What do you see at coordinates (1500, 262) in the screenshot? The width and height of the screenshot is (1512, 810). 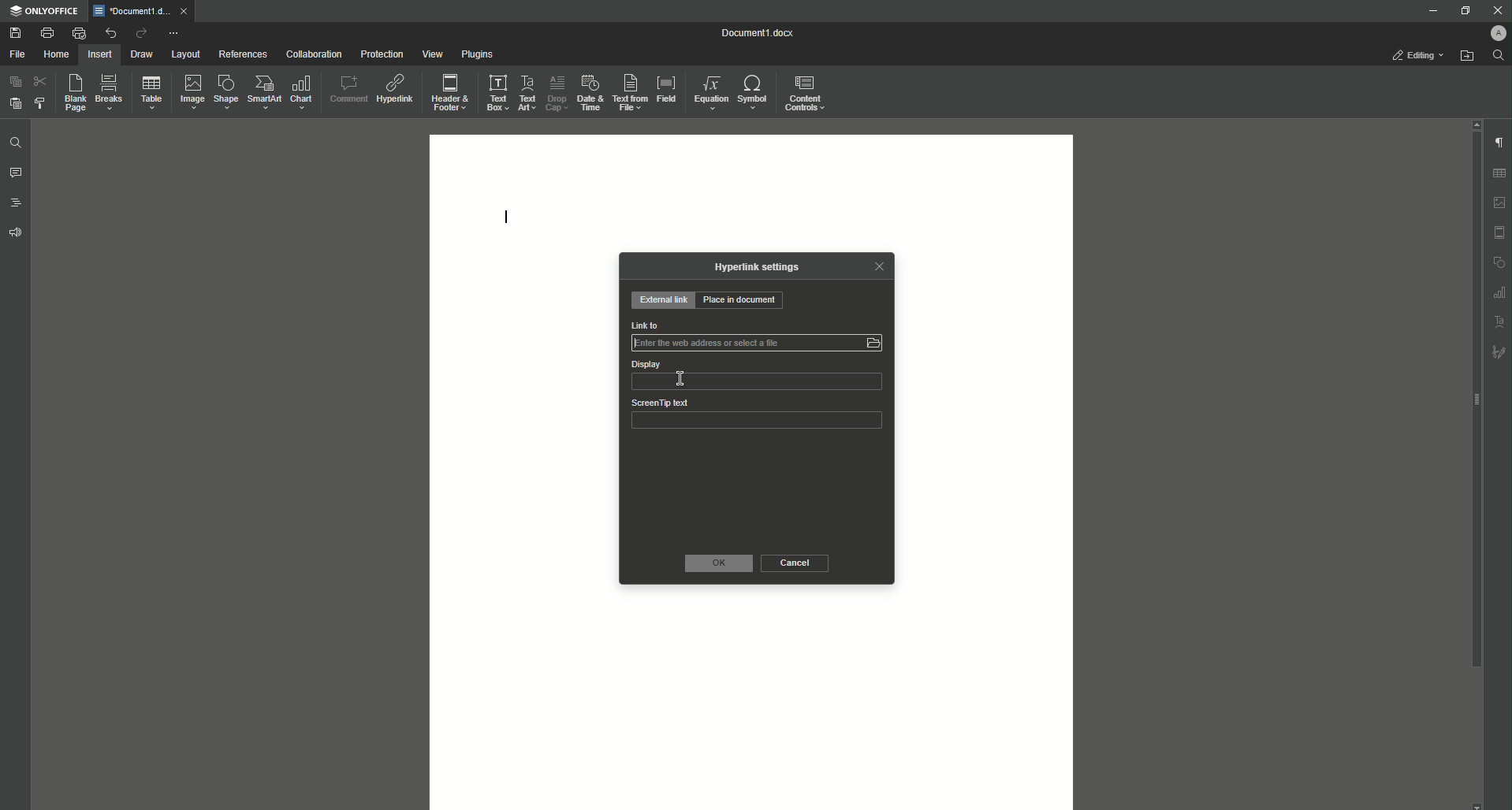 I see `shape settings` at bounding box center [1500, 262].